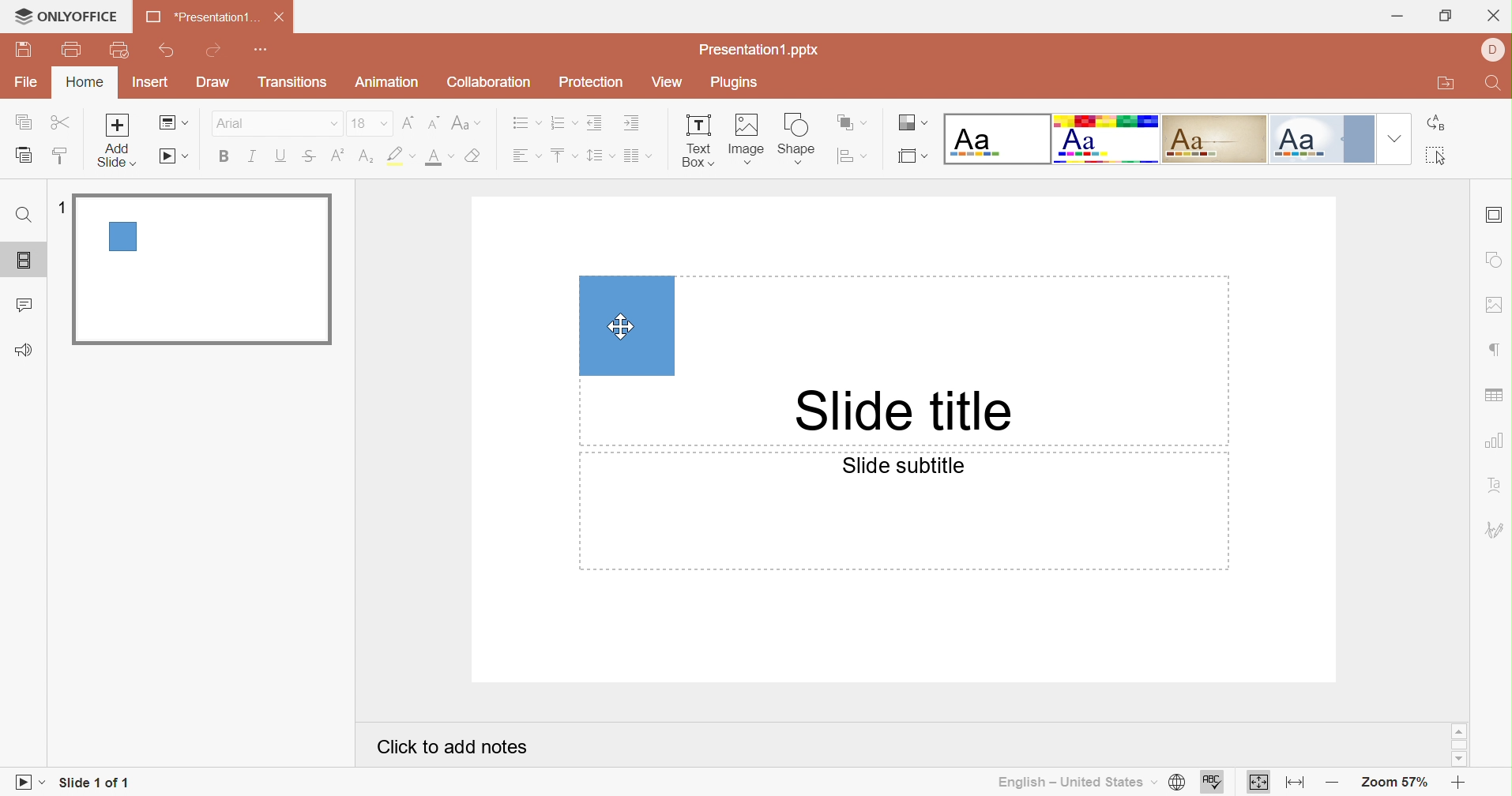 The width and height of the screenshot is (1512, 796). I want to click on Scroll bar, so click(1460, 745).